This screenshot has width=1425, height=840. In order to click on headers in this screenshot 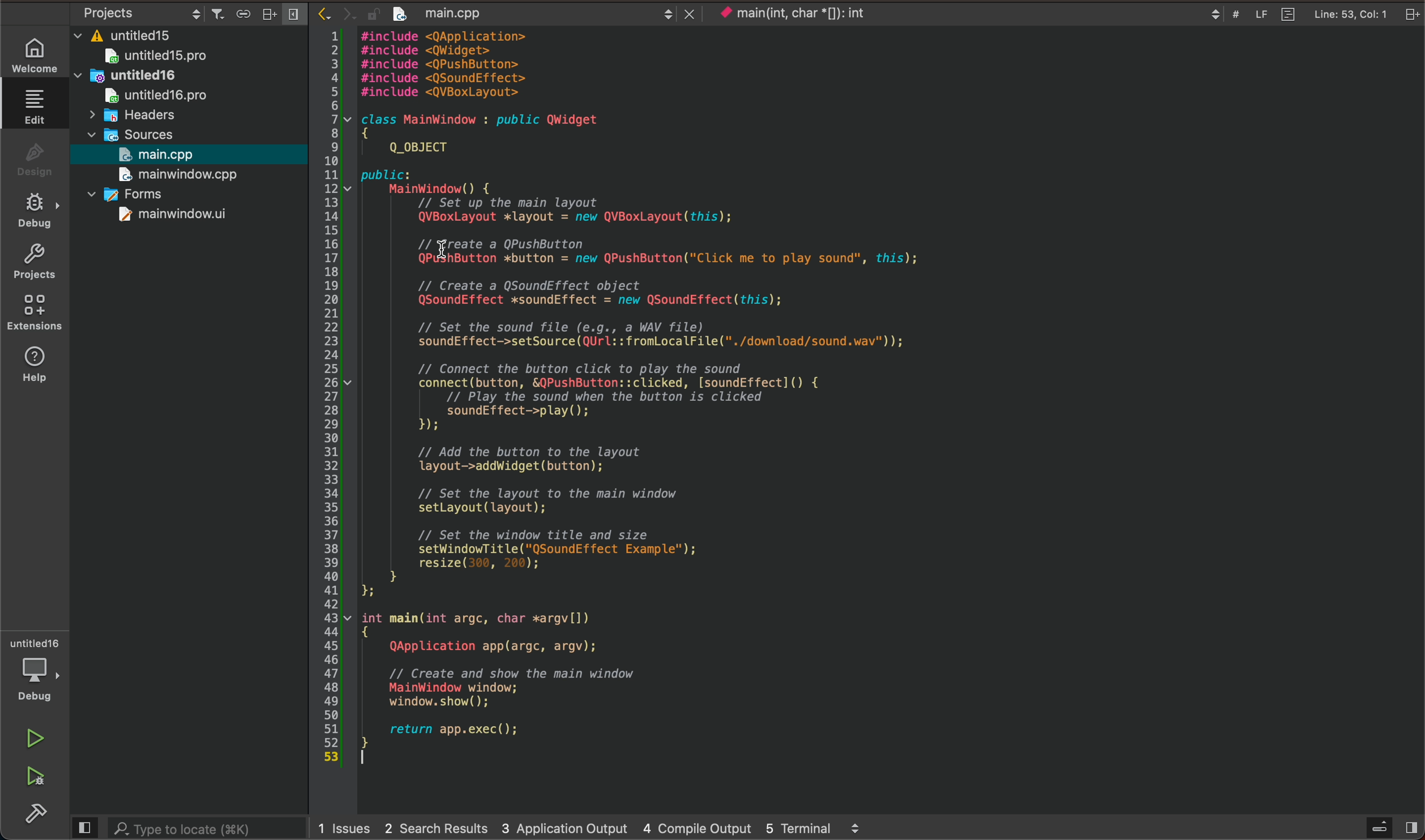, I will do `click(144, 117)`.